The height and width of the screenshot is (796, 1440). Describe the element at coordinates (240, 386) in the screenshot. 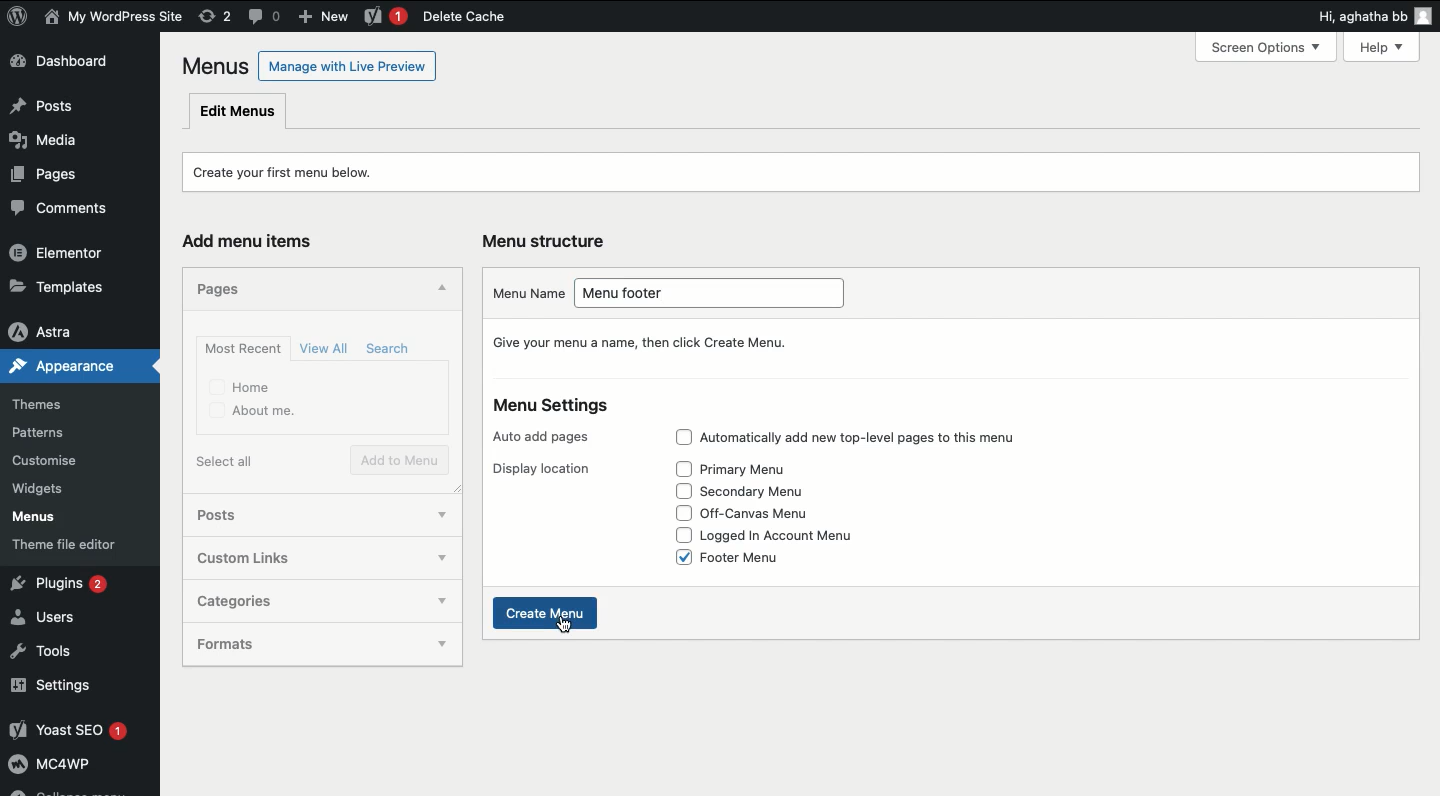

I see `Home` at that location.